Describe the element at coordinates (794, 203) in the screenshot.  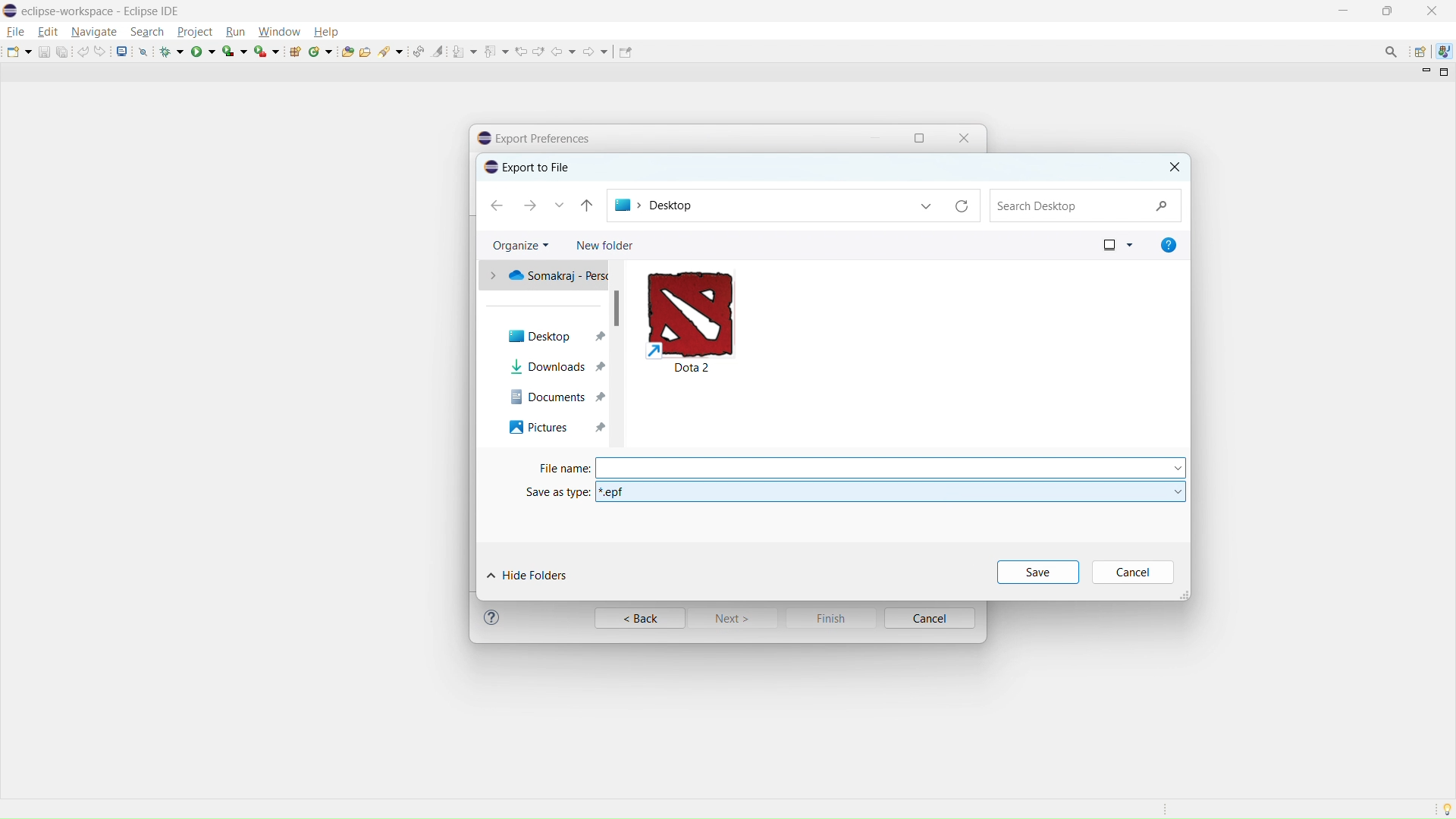
I see `Desktop` at that location.